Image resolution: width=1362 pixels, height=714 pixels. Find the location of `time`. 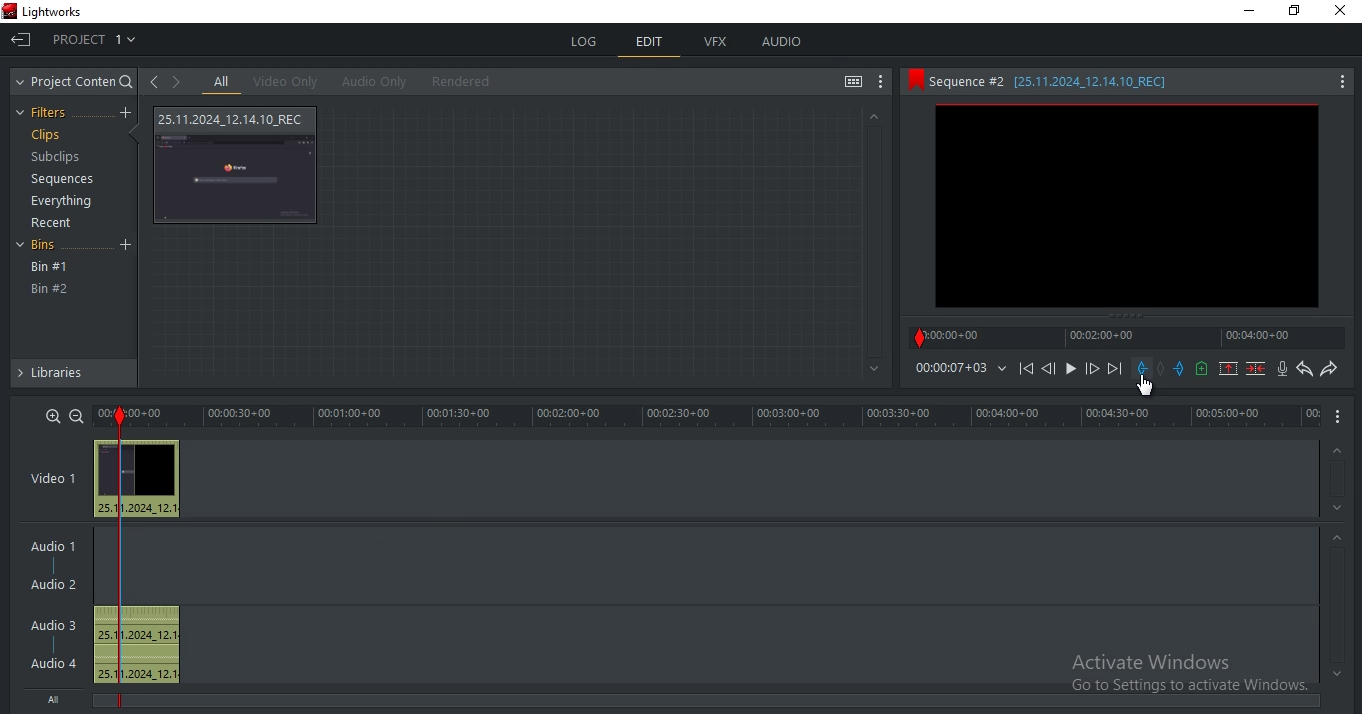

time is located at coordinates (958, 368).